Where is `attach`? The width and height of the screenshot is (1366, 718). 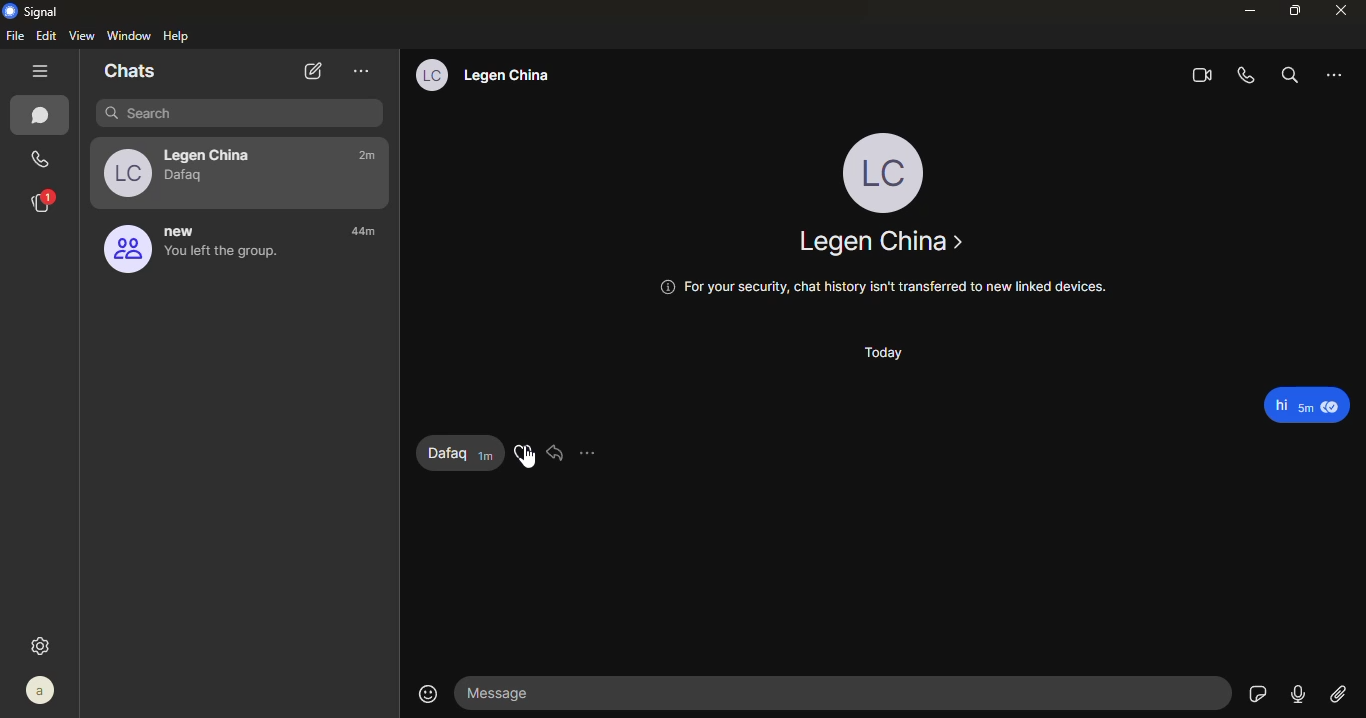 attach is located at coordinates (1339, 695).